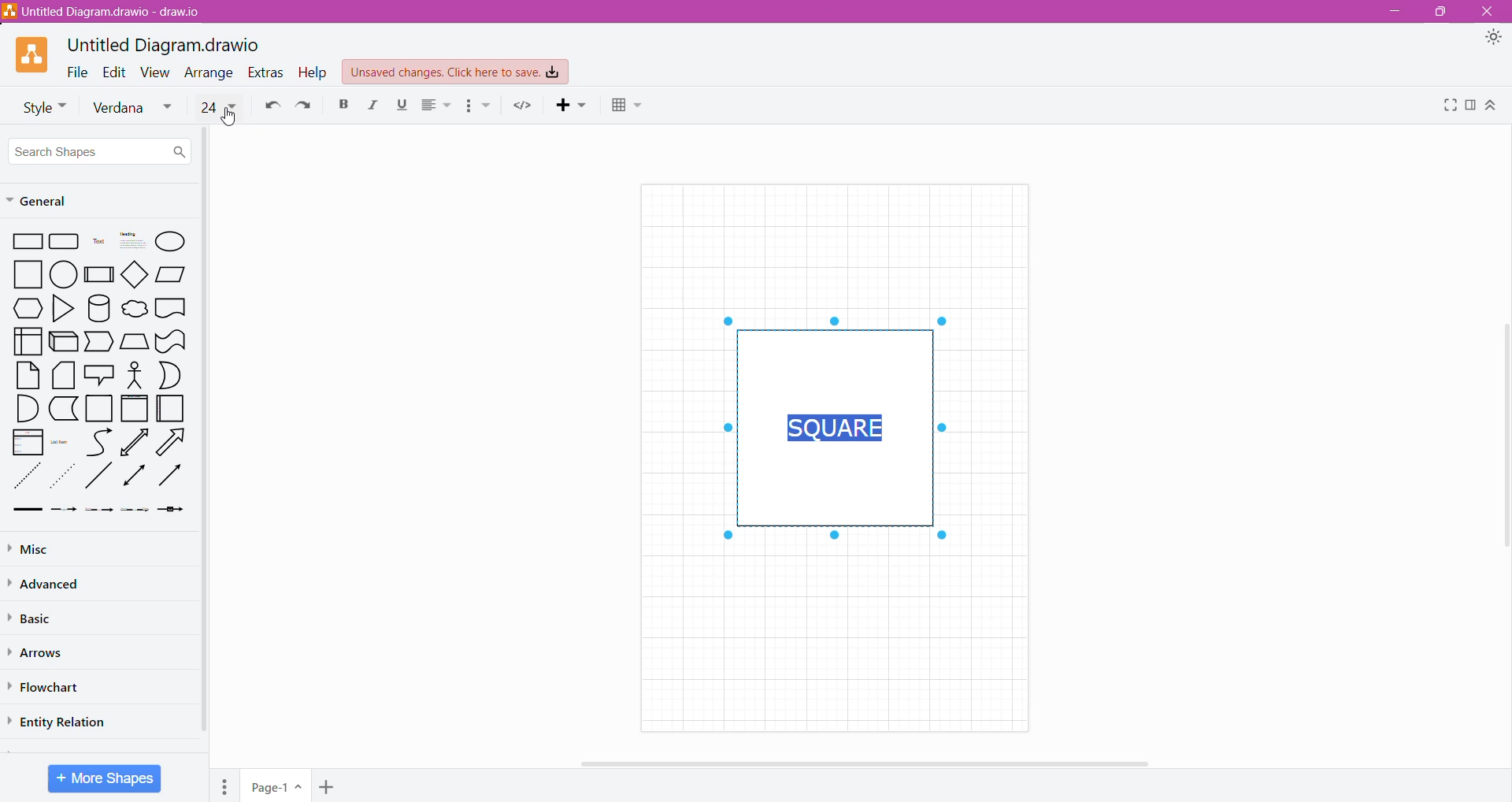 The height and width of the screenshot is (802, 1512). Describe the element at coordinates (133, 241) in the screenshot. I see `heading` at that location.